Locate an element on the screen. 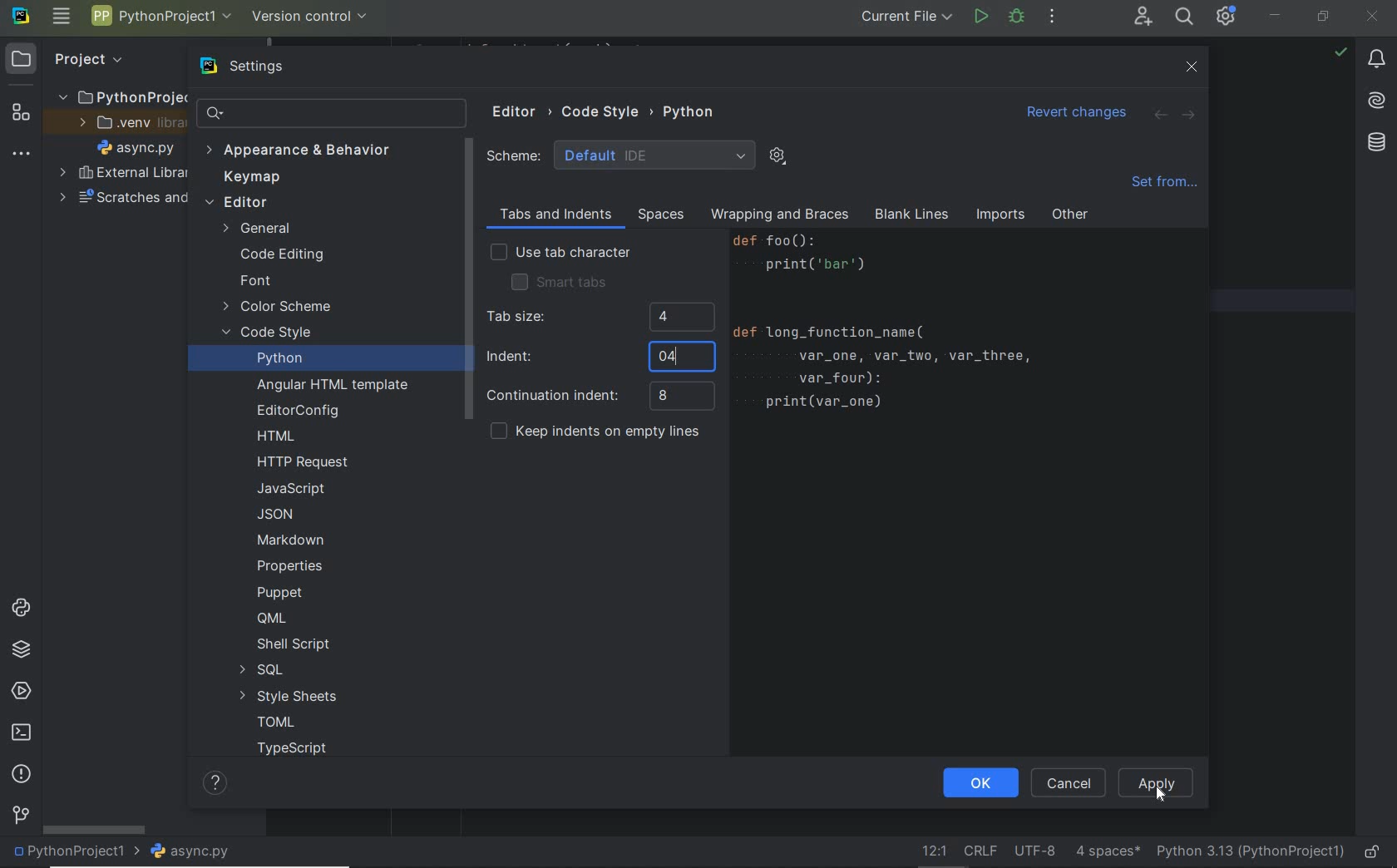 This screenshot has width=1397, height=868. PROPERTIES is located at coordinates (291, 570).